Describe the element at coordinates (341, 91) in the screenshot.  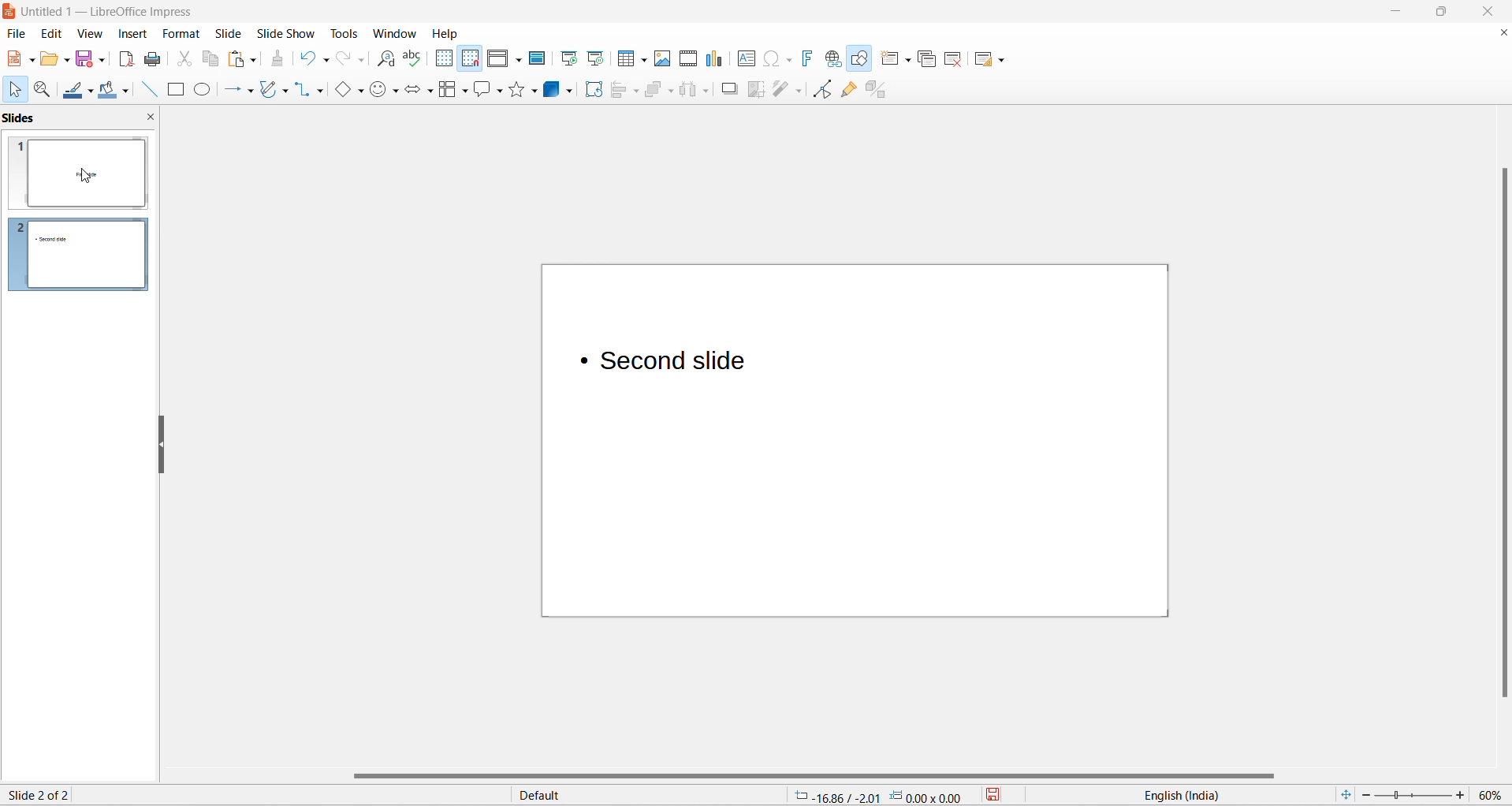
I see `basic shapes` at that location.